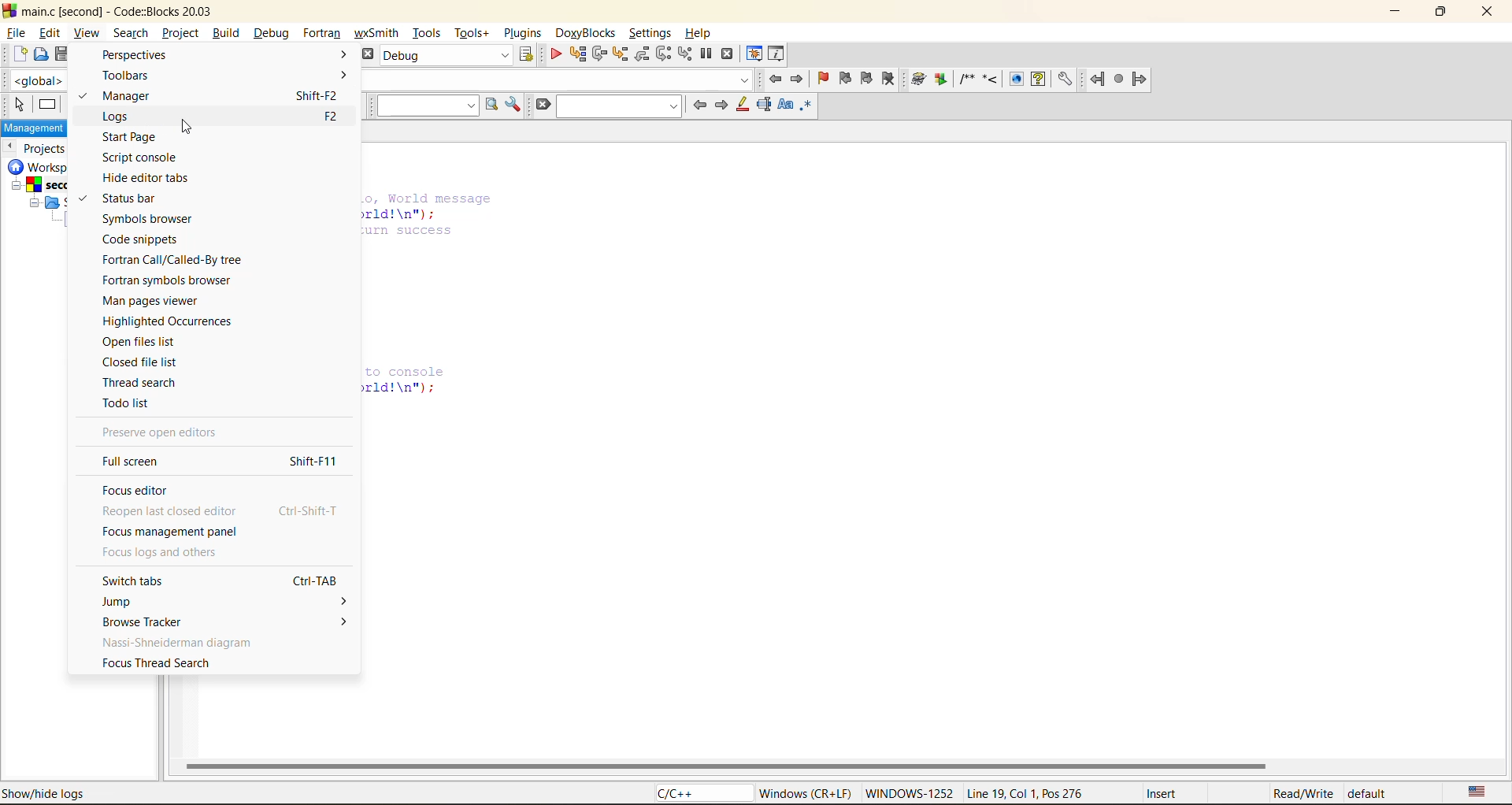 The height and width of the screenshot is (805, 1512). I want to click on Ctrl-Shift-T, so click(307, 510).